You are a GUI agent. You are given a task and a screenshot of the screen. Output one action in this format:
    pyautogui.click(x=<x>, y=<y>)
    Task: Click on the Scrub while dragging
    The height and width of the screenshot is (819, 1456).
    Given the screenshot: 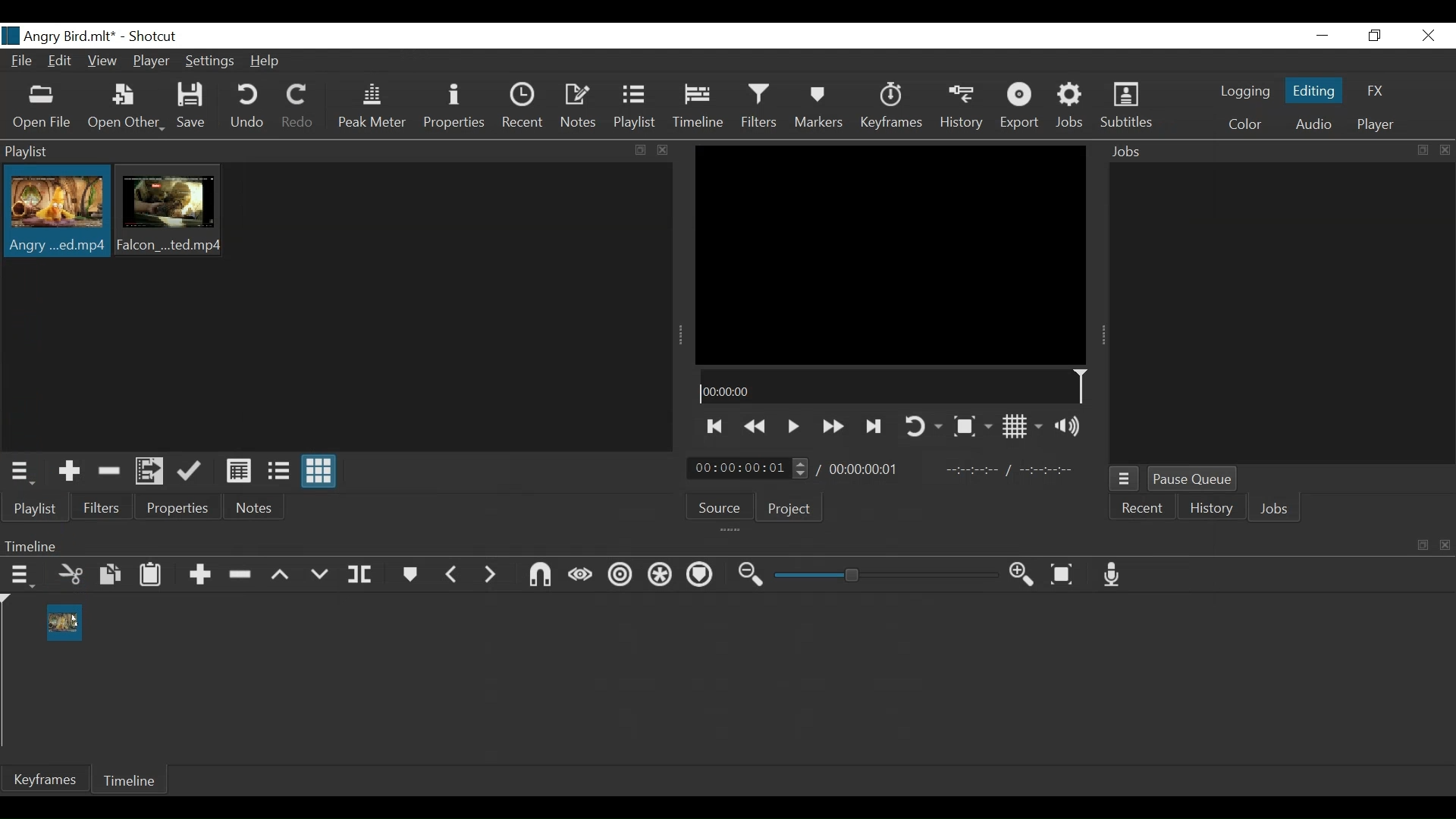 What is the action you would take?
    pyautogui.click(x=581, y=578)
    